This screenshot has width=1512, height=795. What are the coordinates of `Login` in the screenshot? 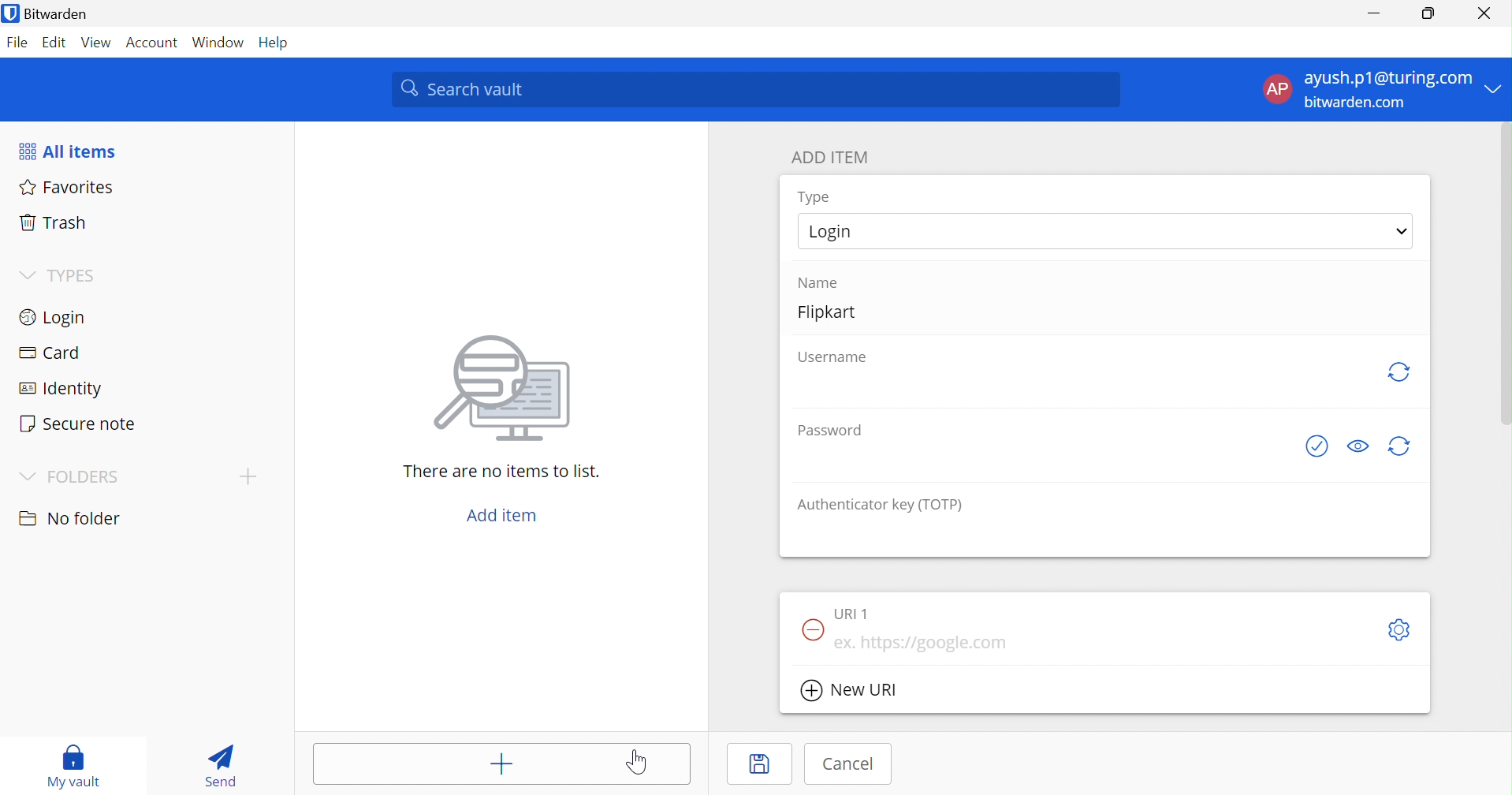 It's located at (56, 319).